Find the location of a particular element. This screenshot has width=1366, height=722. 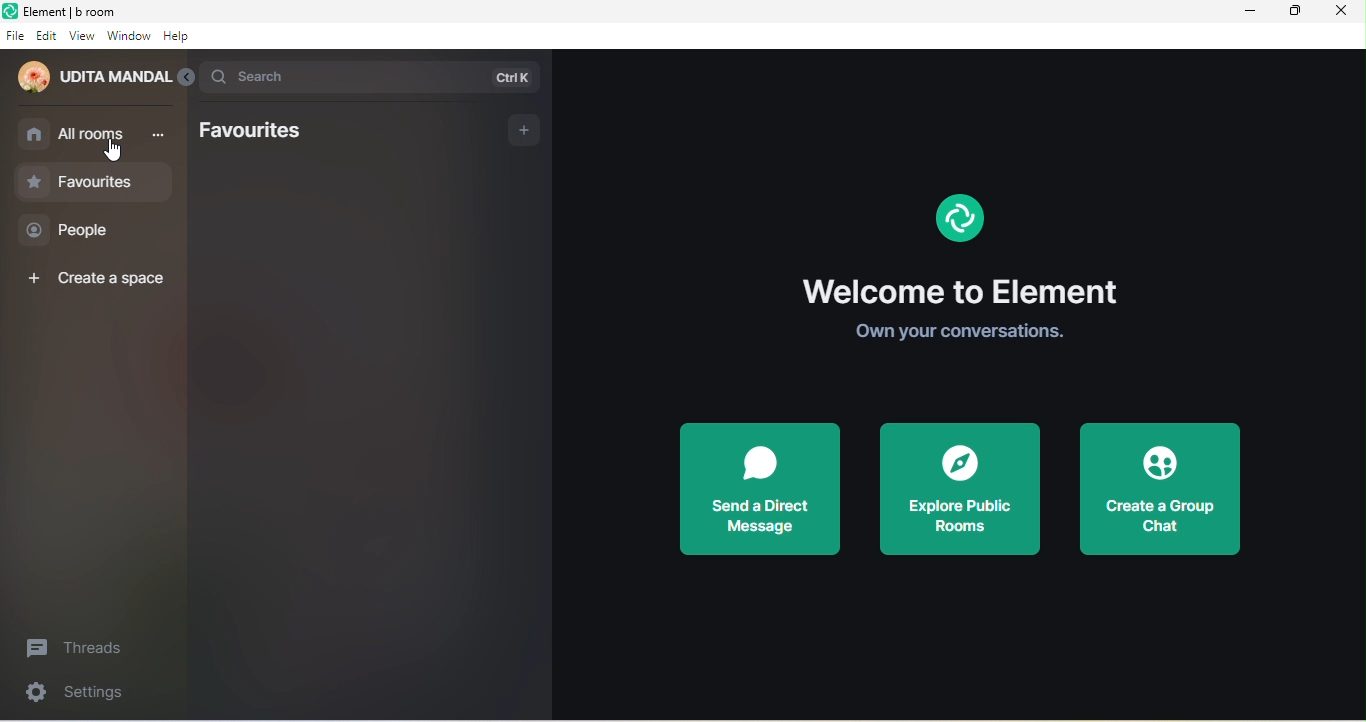

file is located at coordinates (14, 35).